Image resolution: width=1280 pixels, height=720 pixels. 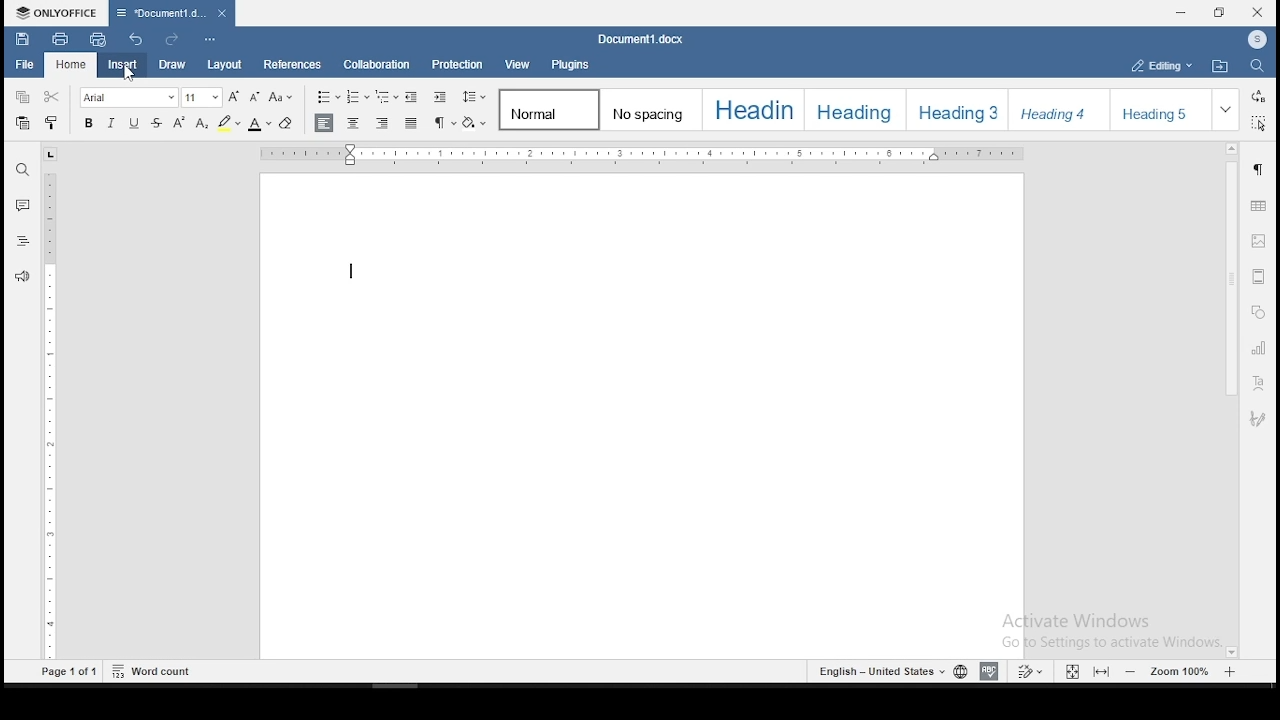 What do you see at coordinates (960, 109) in the screenshot?
I see `heading option` at bounding box center [960, 109].